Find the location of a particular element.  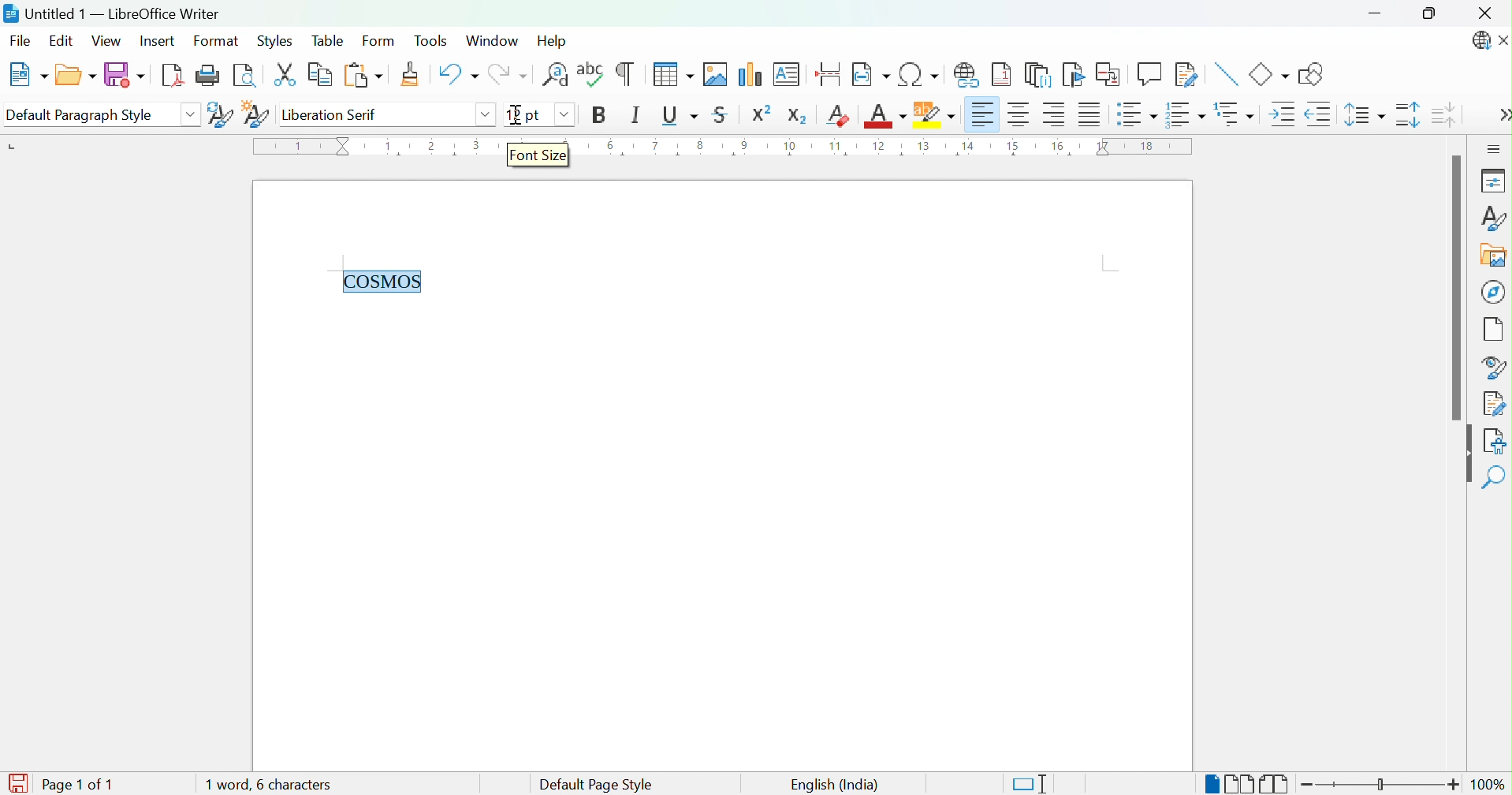

Draw Basic Shapes is located at coordinates (1312, 74).